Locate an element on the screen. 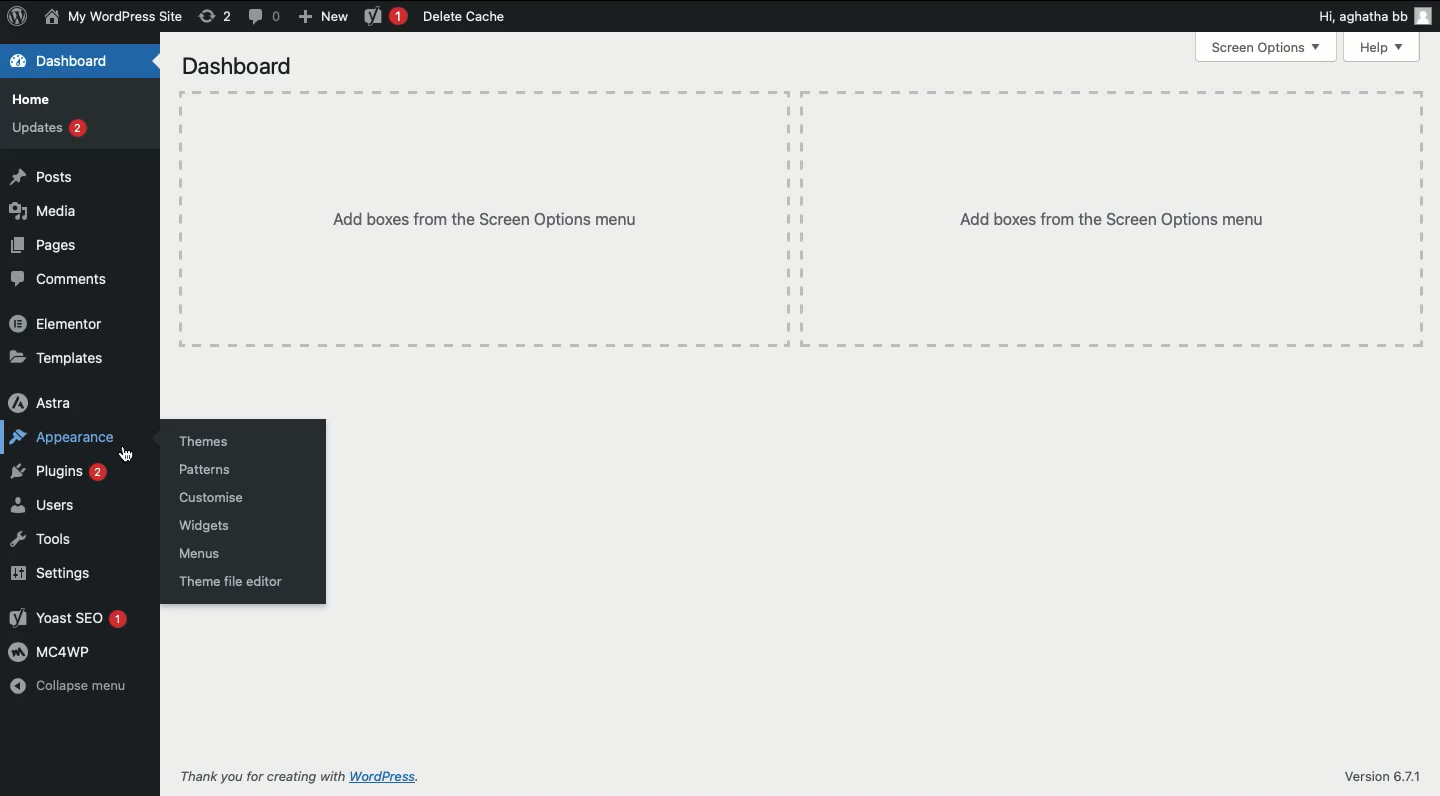 This screenshot has width=1440, height=796. ‘Menus is located at coordinates (209, 552).